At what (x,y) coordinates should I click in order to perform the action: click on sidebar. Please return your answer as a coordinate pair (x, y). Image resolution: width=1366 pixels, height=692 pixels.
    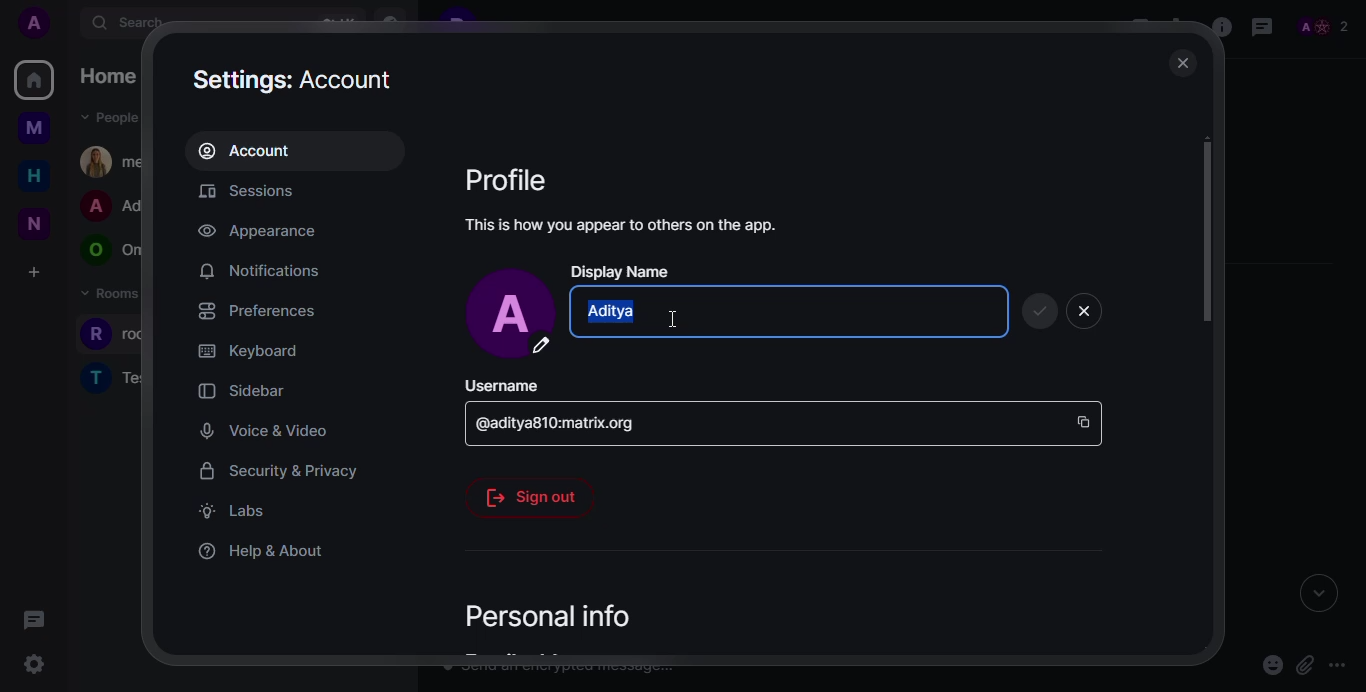
    Looking at the image, I should click on (244, 390).